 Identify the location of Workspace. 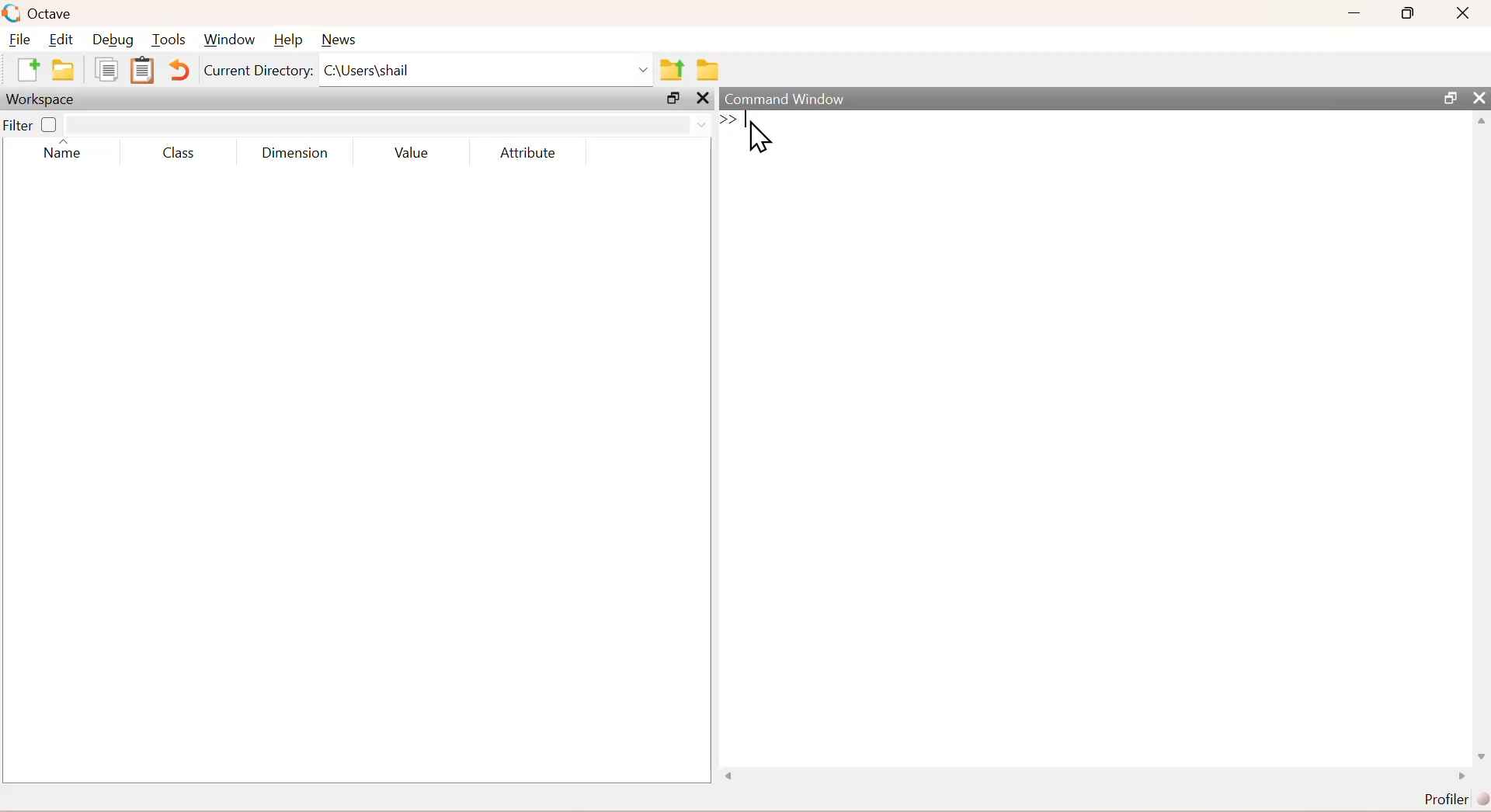
(42, 101).